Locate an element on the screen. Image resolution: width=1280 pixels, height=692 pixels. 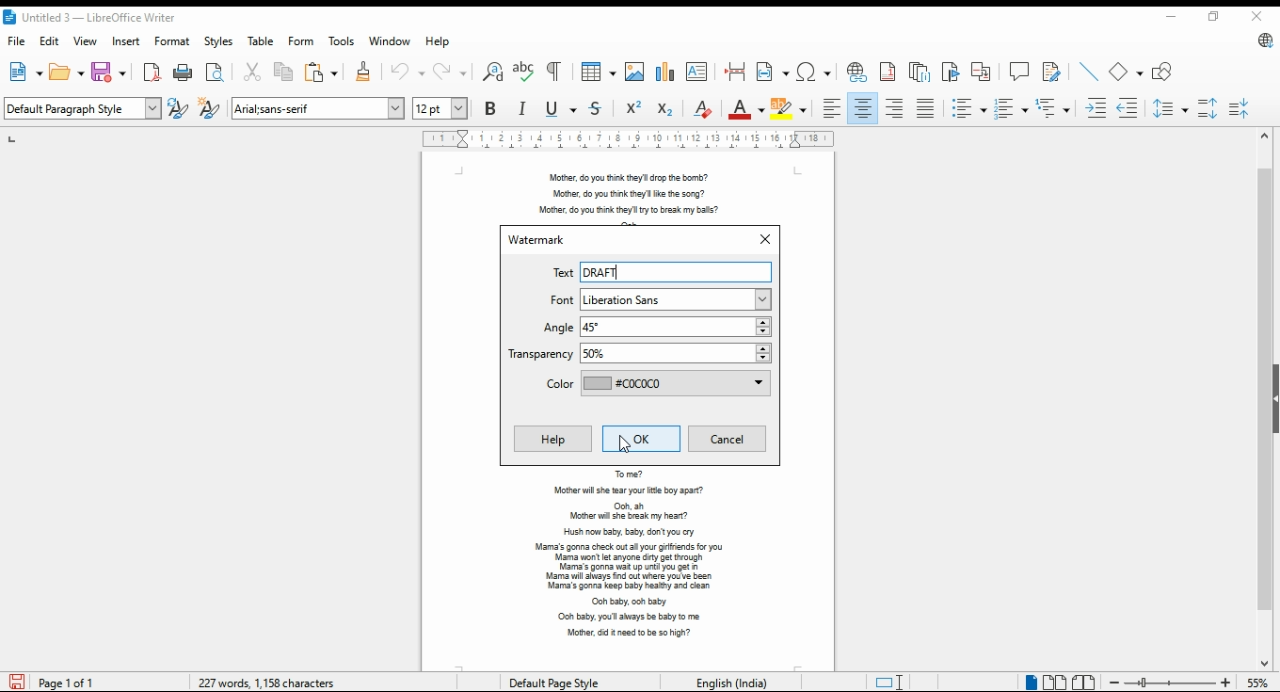
toggle print preview is located at coordinates (217, 72).